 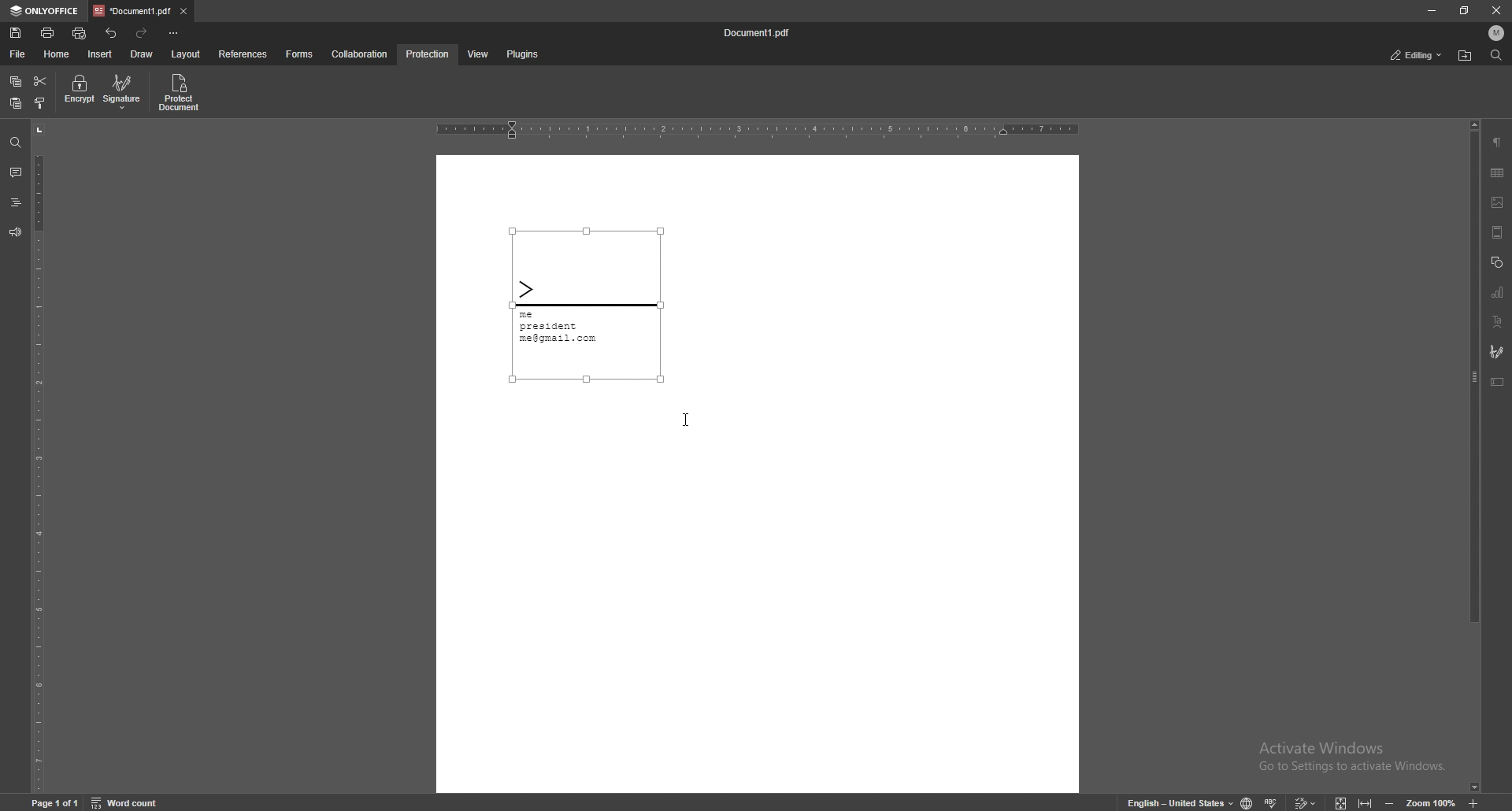 What do you see at coordinates (1431, 9) in the screenshot?
I see `minimize` at bounding box center [1431, 9].